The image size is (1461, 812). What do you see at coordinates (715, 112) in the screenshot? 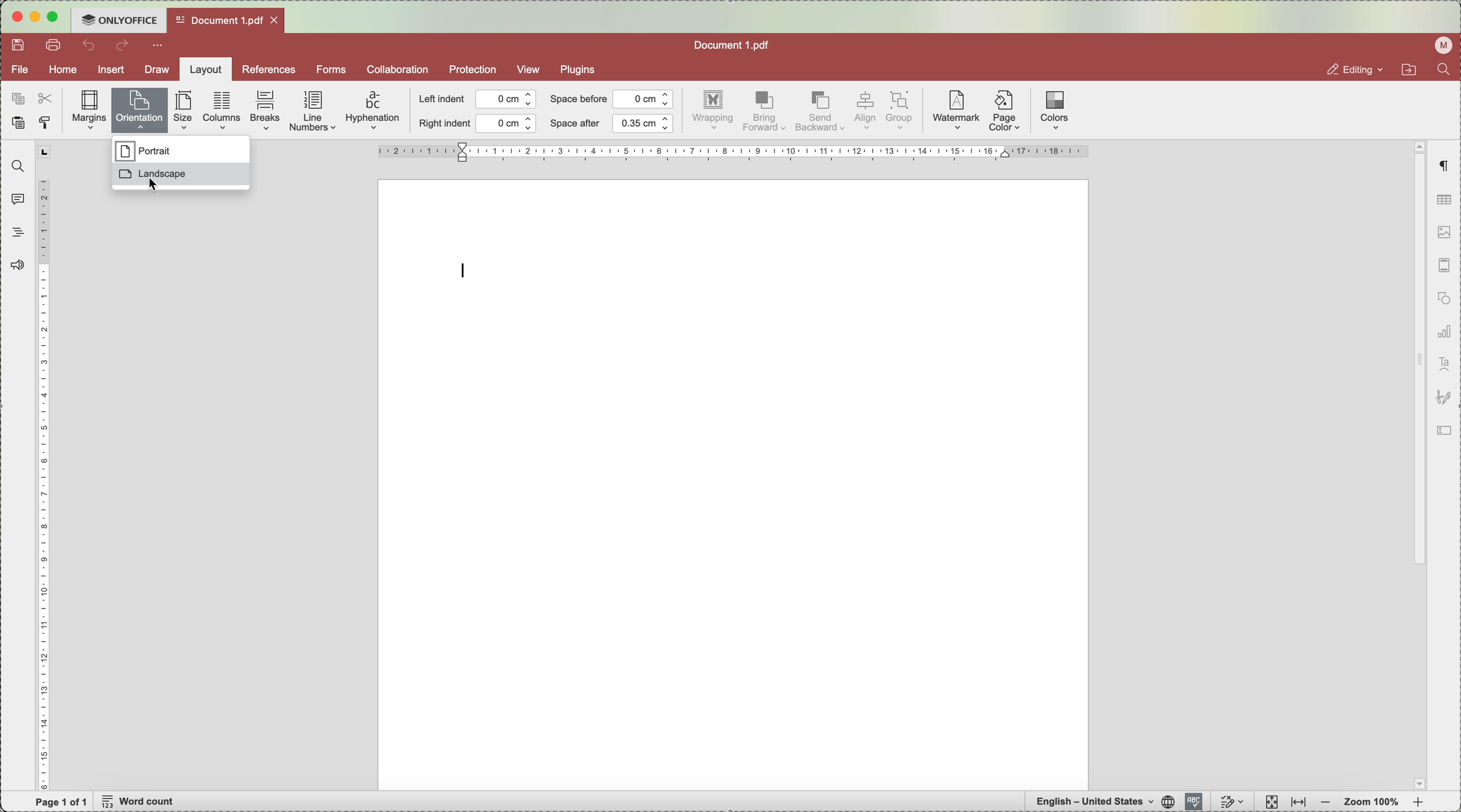
I see `wrapping` at bounding box center [715, 112].